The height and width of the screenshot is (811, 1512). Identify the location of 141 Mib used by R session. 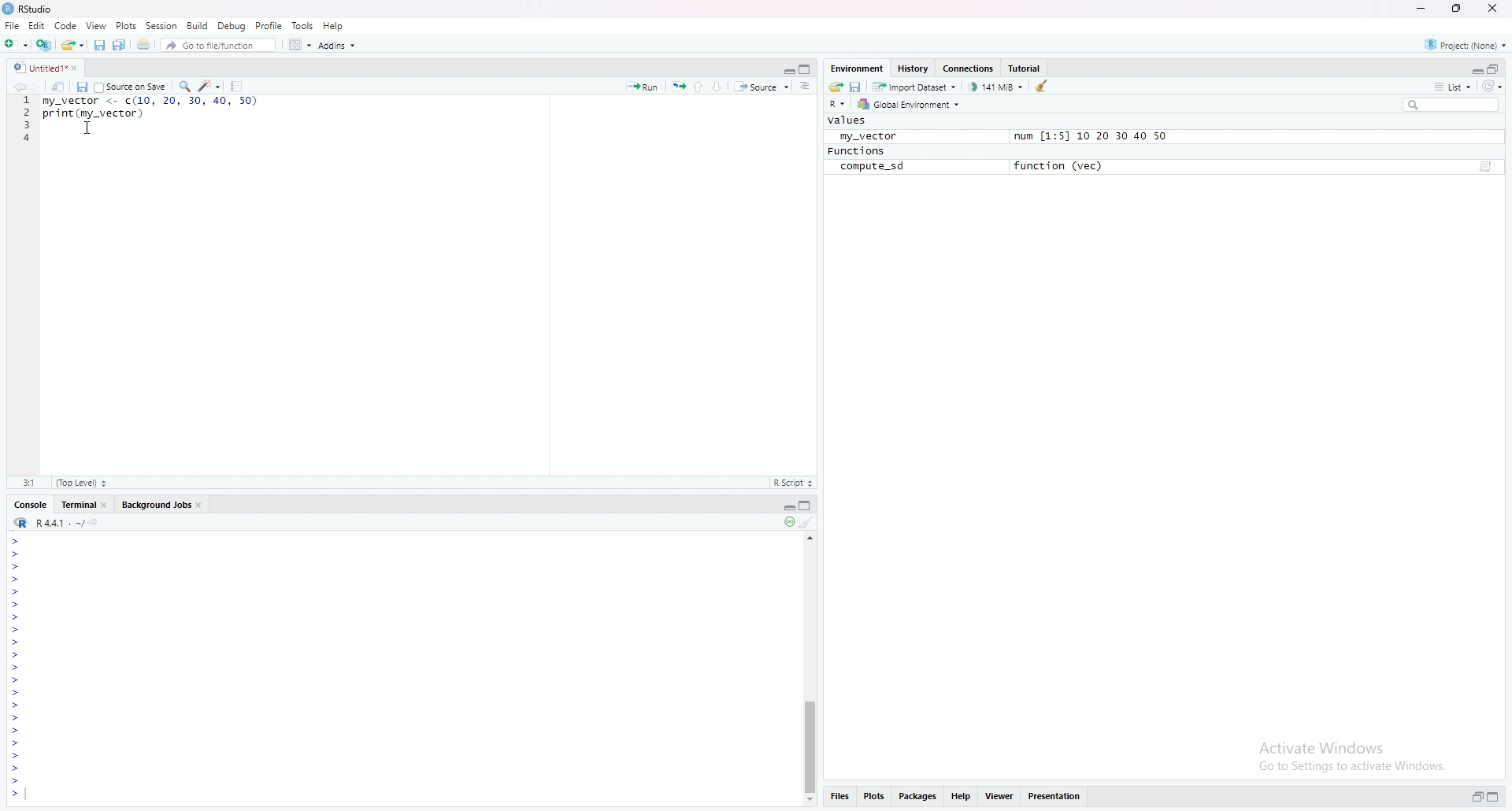
(997, 86).